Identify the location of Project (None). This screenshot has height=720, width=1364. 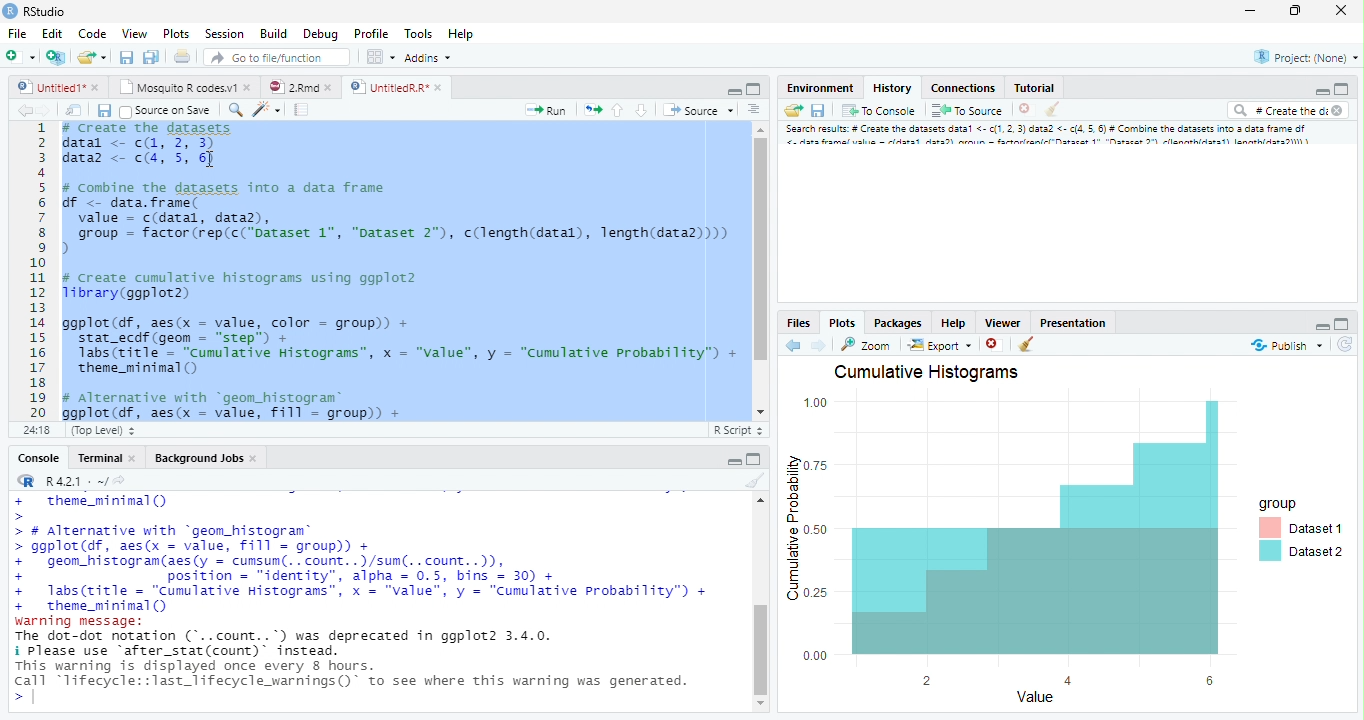
(1308, 57).